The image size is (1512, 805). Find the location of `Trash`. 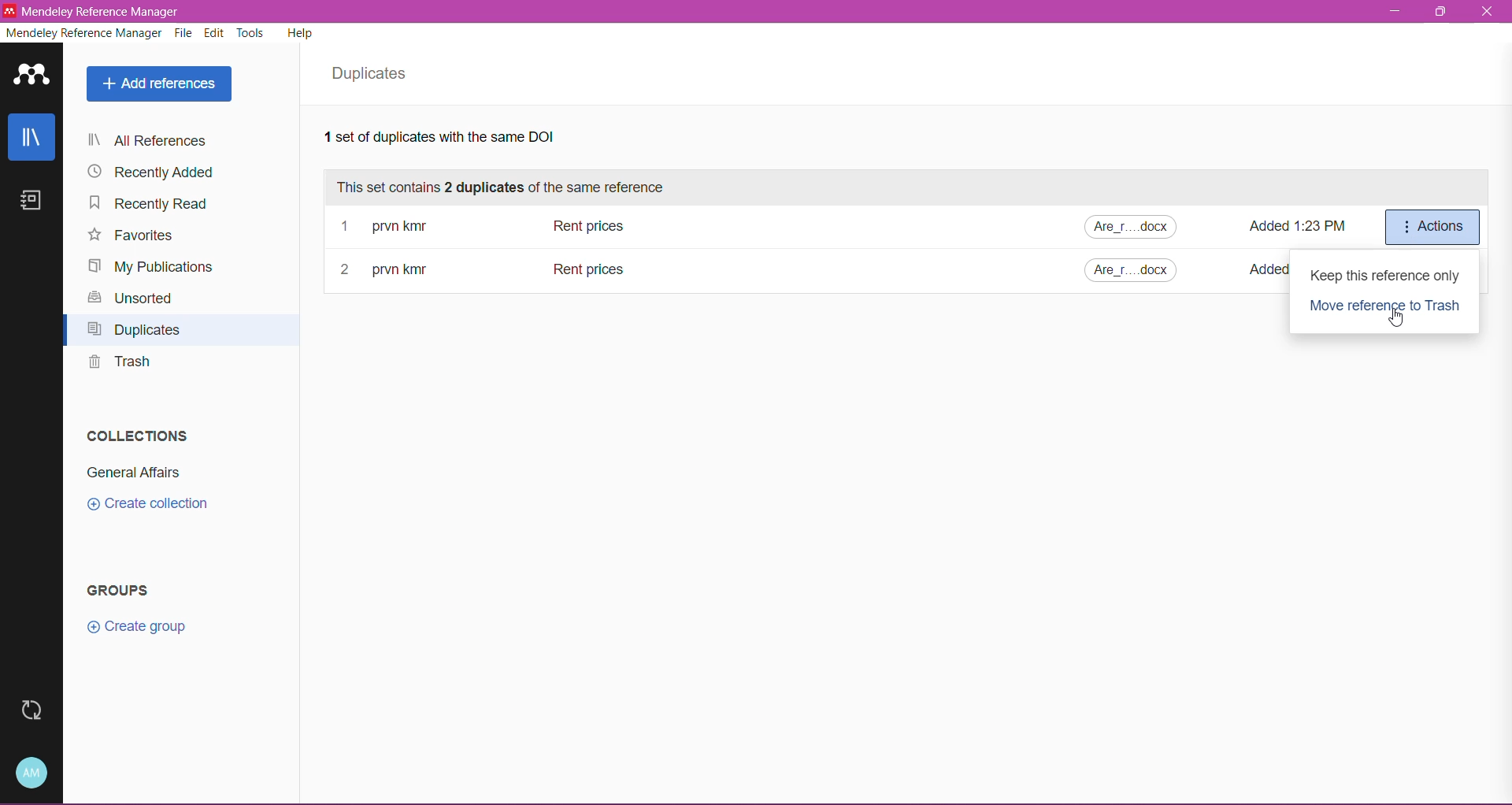

Trash is located at coordinates (119, 365).